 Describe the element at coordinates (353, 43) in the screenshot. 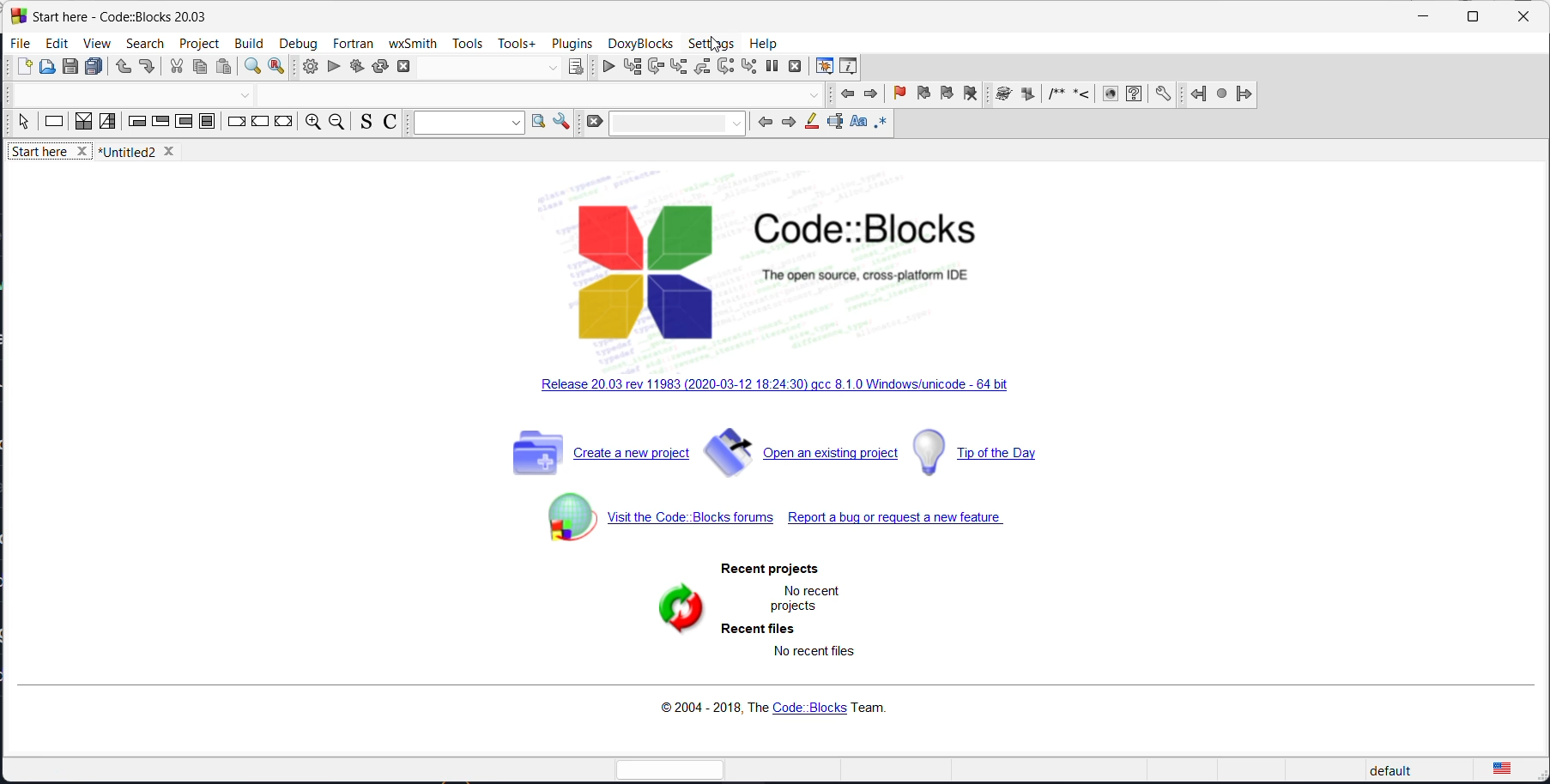

I see `fortran` at that location.